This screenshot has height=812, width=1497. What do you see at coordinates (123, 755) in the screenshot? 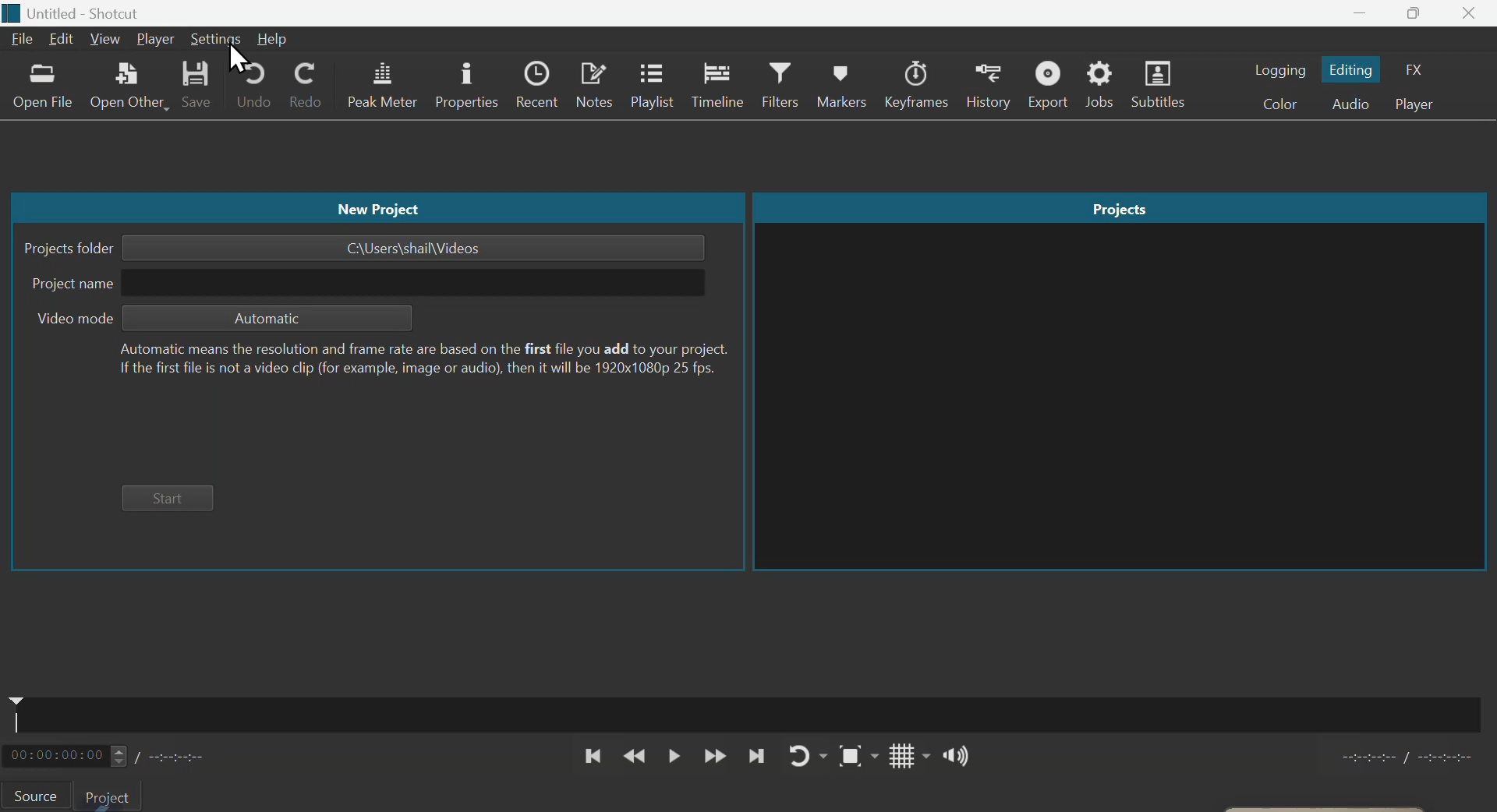
I see `Timeline meter` at bounding box center [123, 755].